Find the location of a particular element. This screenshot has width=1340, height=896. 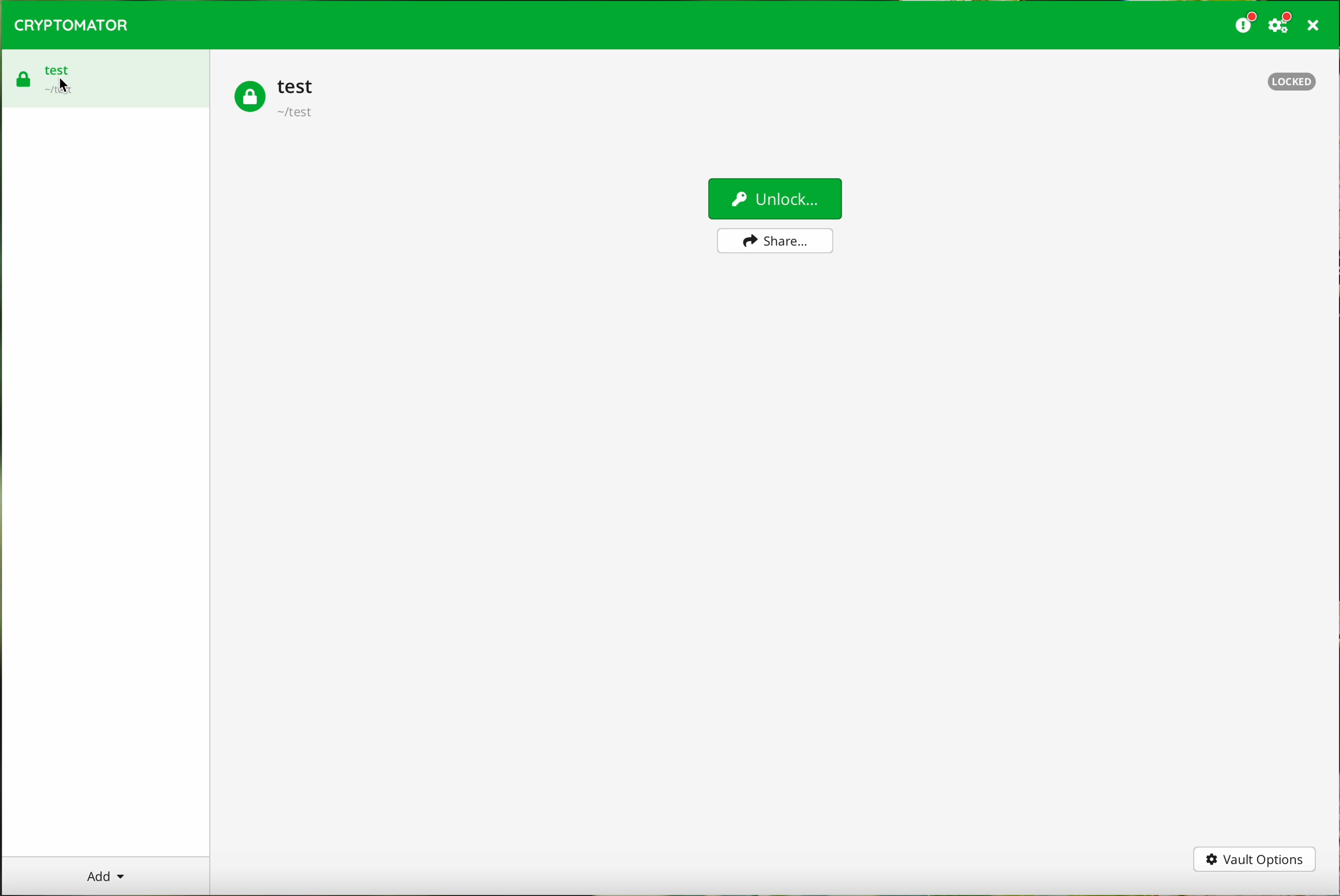

cryptomator is located at coordinates (72, 26).